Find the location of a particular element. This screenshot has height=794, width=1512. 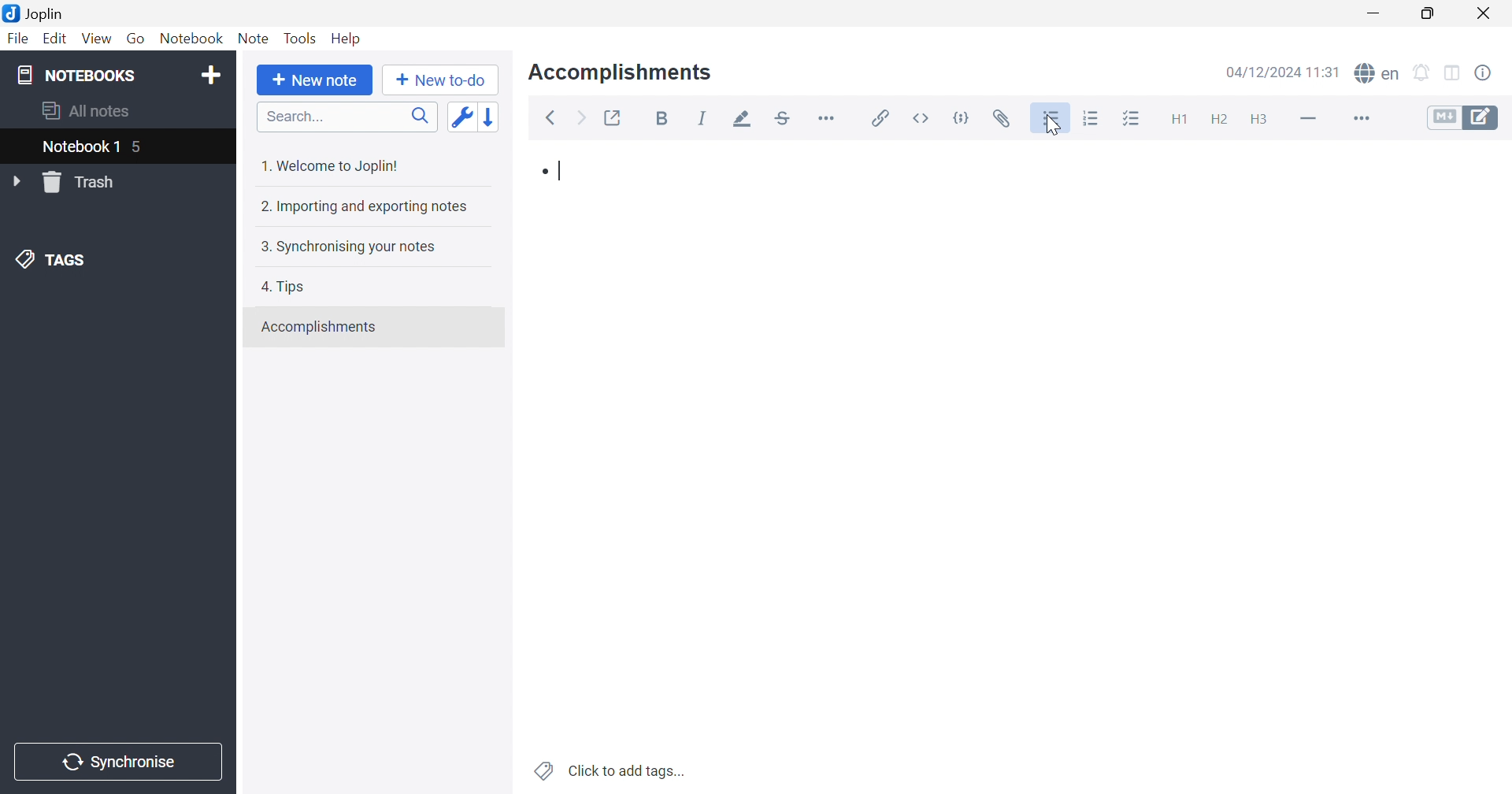

View is located at coordinates (95, 39).